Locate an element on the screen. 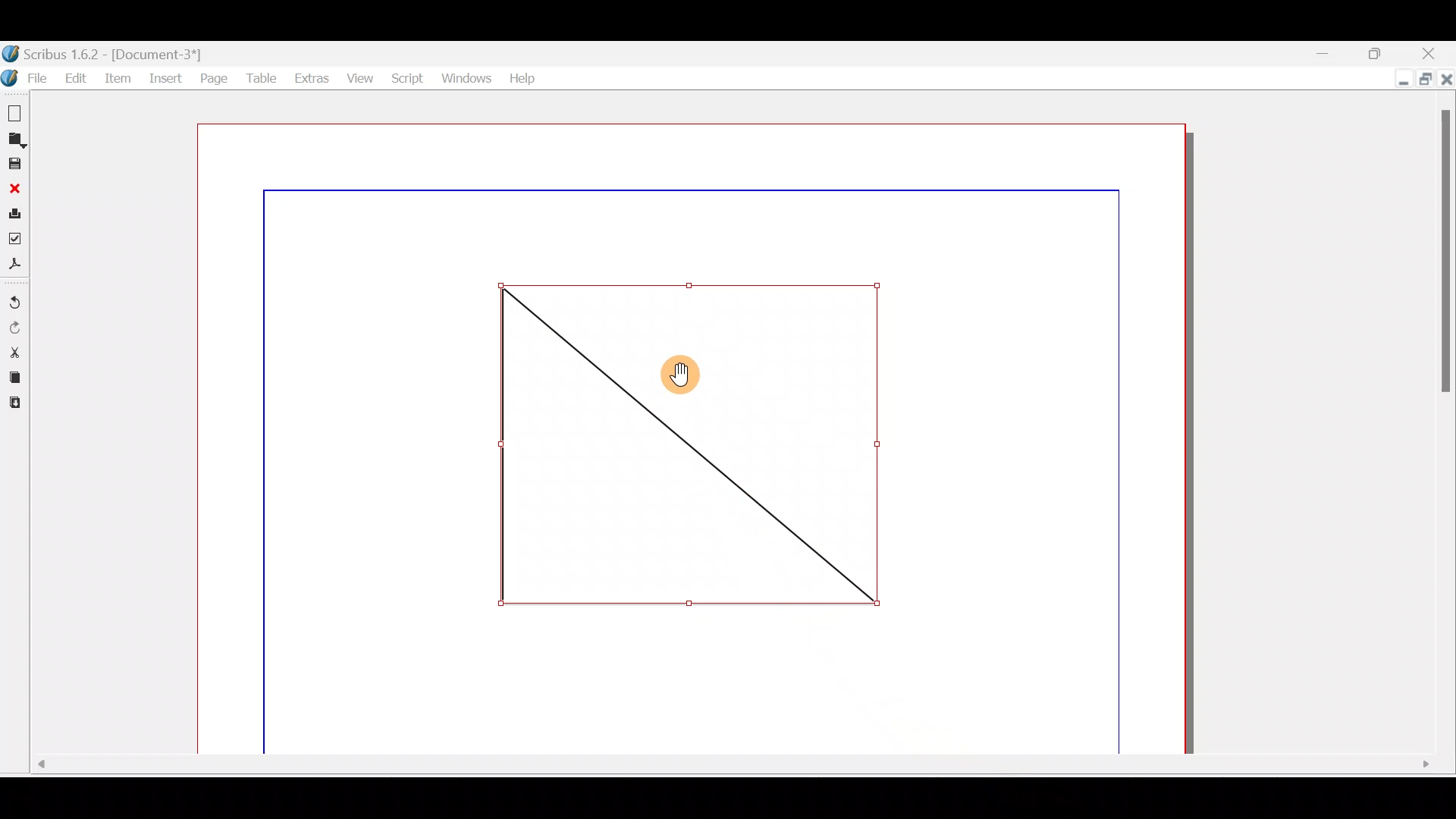 The height and width of the screenshot is (819, 1456). Minimise is located at coordinates (1323, 52).